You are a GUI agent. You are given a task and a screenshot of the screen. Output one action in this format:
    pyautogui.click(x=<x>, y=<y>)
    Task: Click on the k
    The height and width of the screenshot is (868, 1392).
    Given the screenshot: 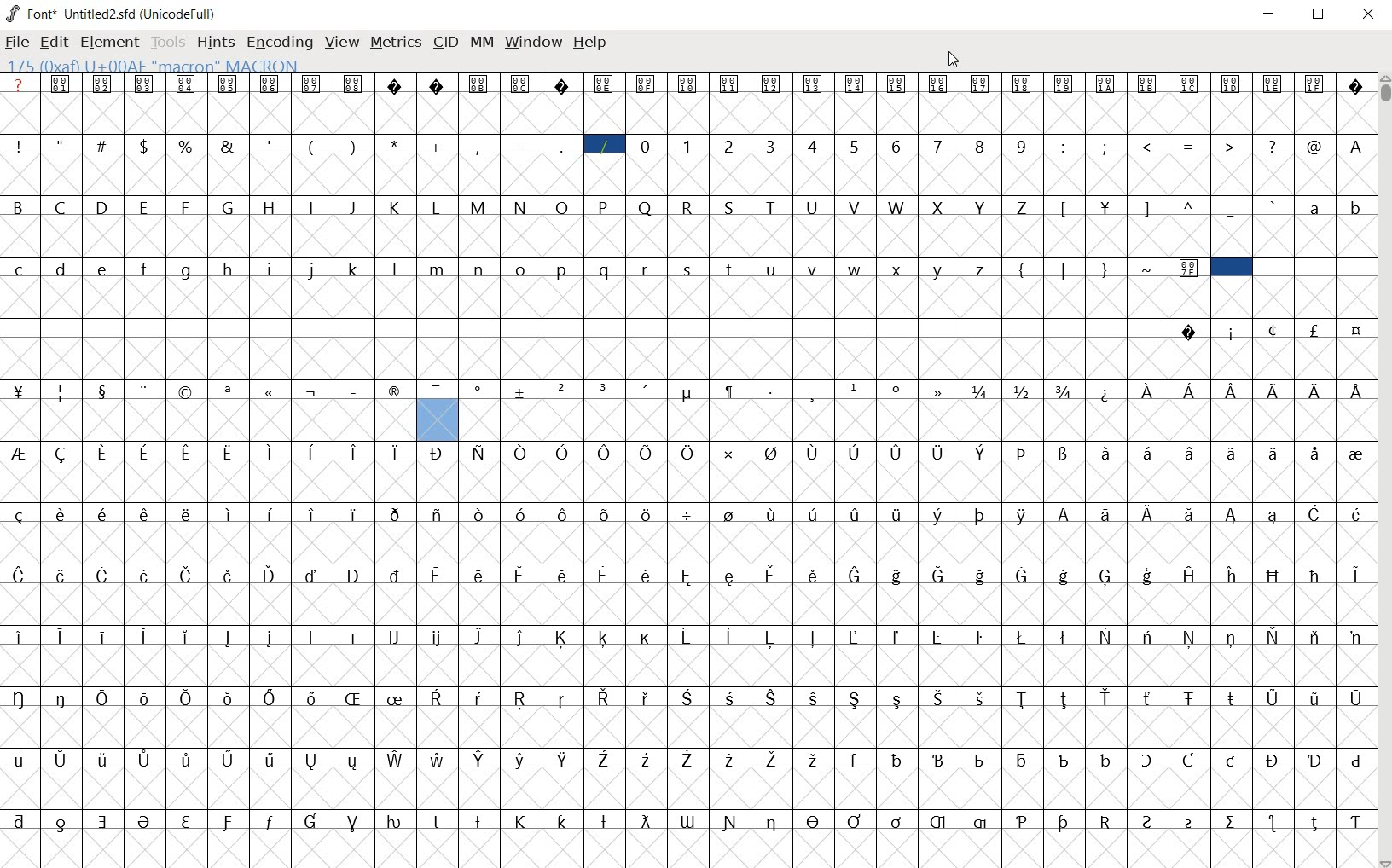 What is the action you would take?
    pyautogui.click(x=355, y=268)
    